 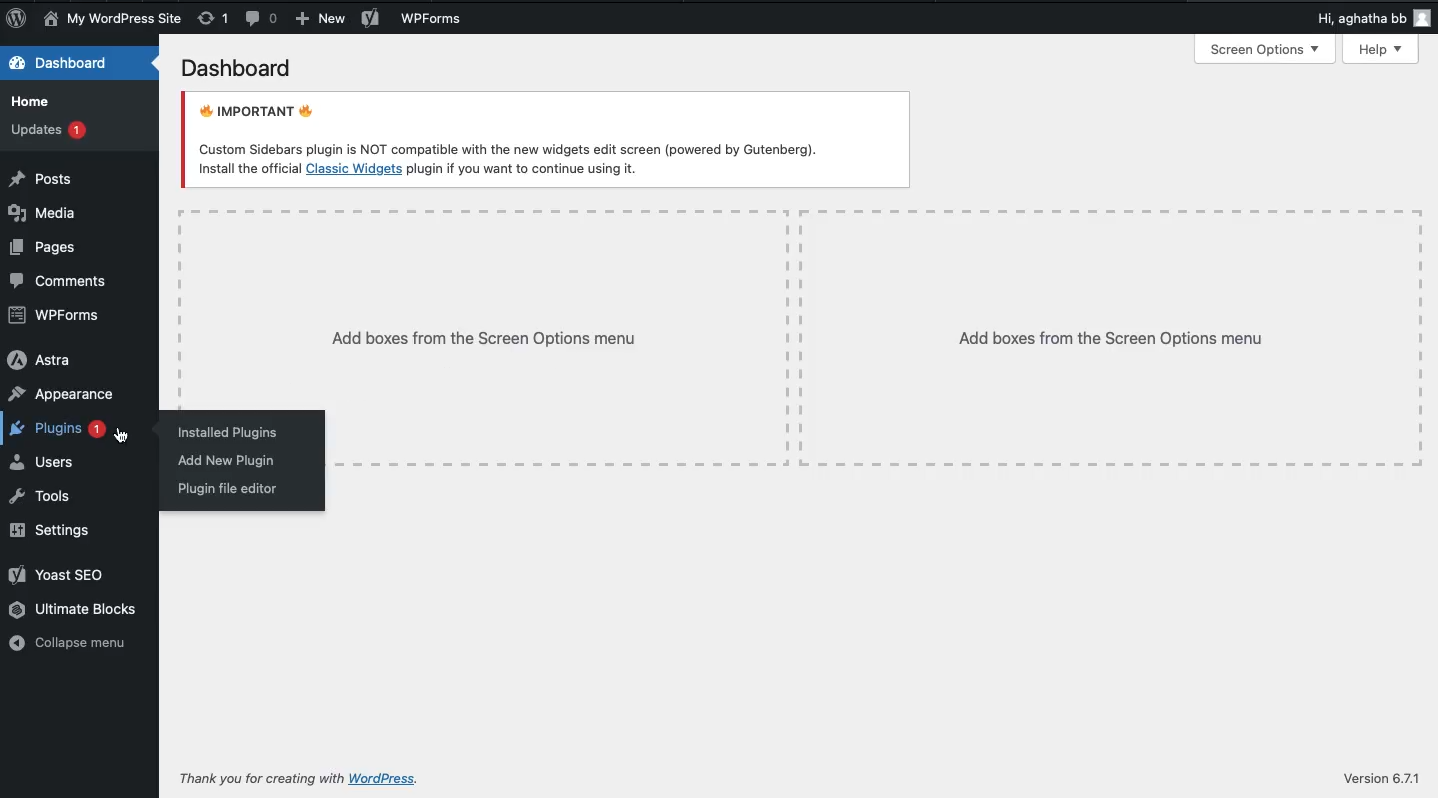 What do you see at coordinates (47, 128) in the screenshot?
I see `Updates` at bounding box center [47, 128].